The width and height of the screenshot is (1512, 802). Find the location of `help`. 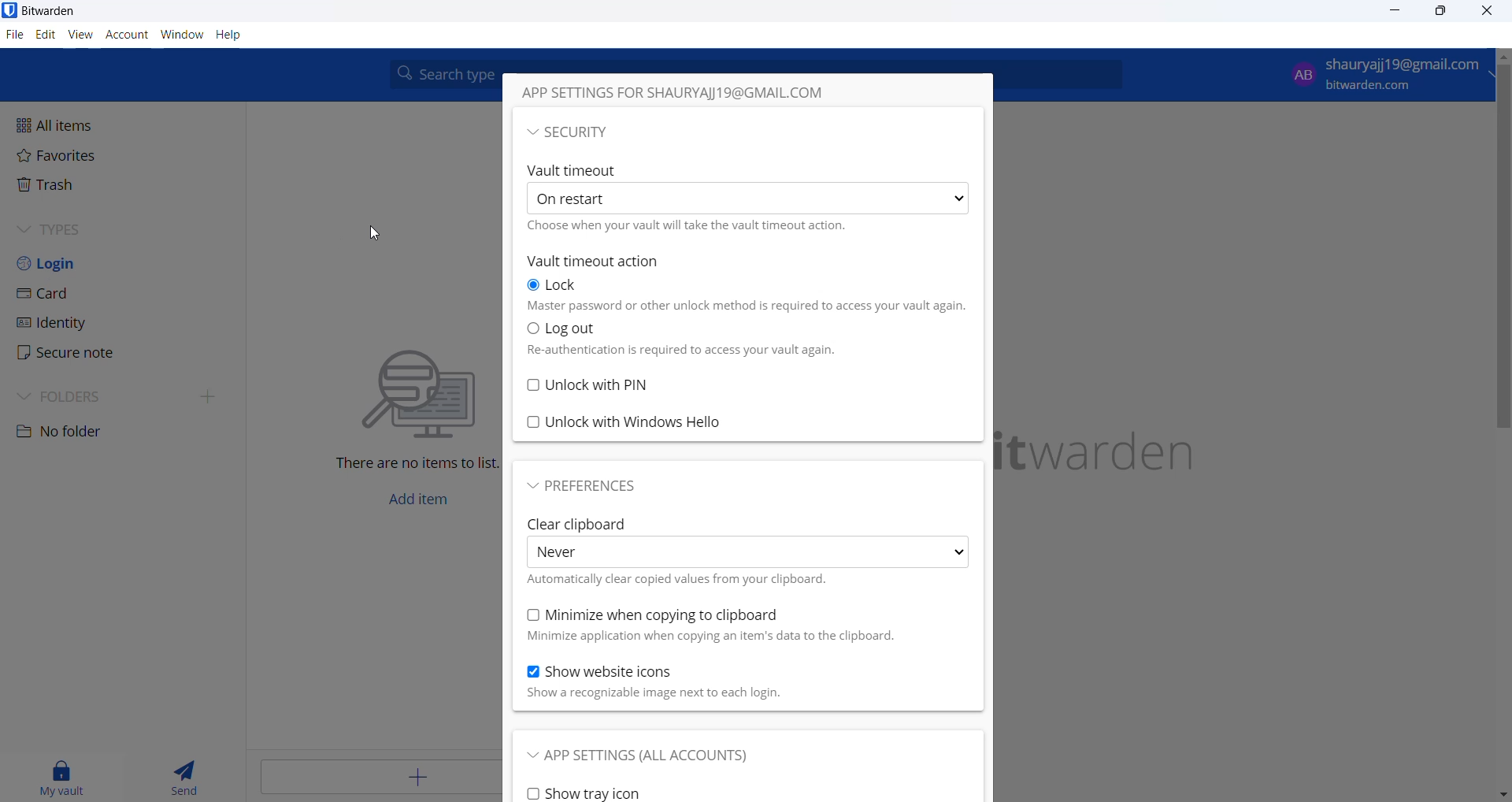

help is located at coordinates (235, 36).